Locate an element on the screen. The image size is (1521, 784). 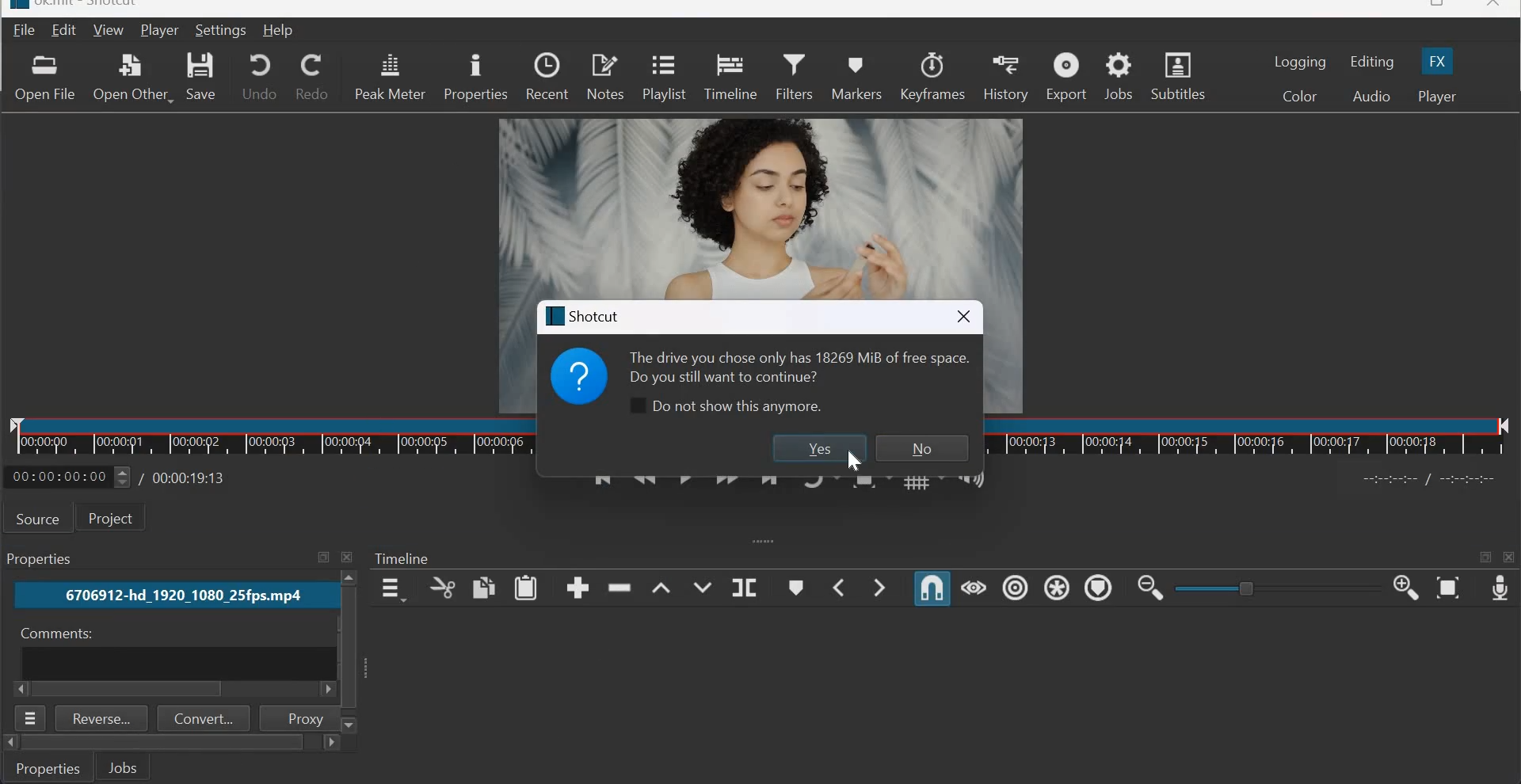
Markers is located at coordinates (859, 77).